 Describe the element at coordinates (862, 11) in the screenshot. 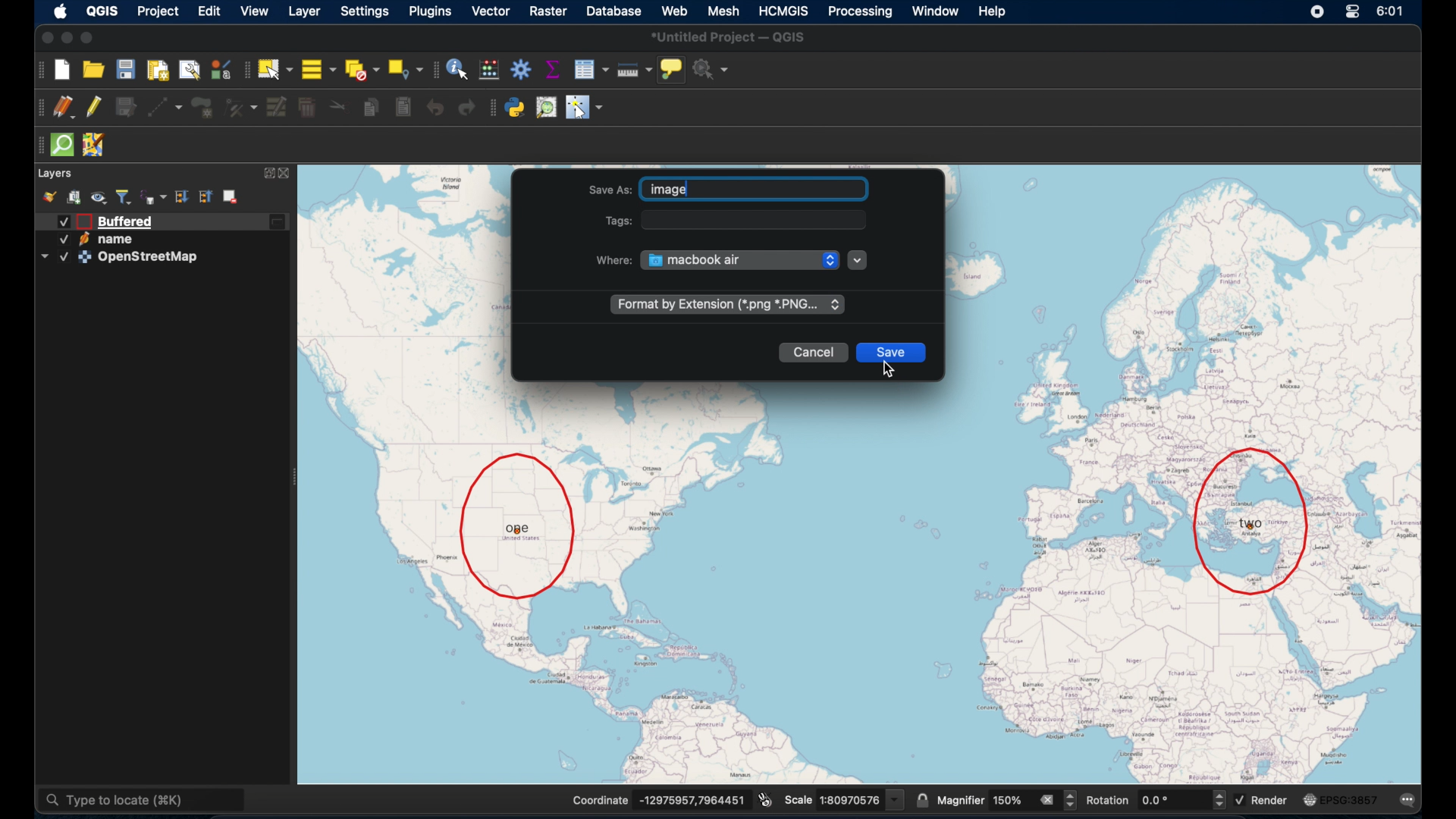

I see `processing` at that location.